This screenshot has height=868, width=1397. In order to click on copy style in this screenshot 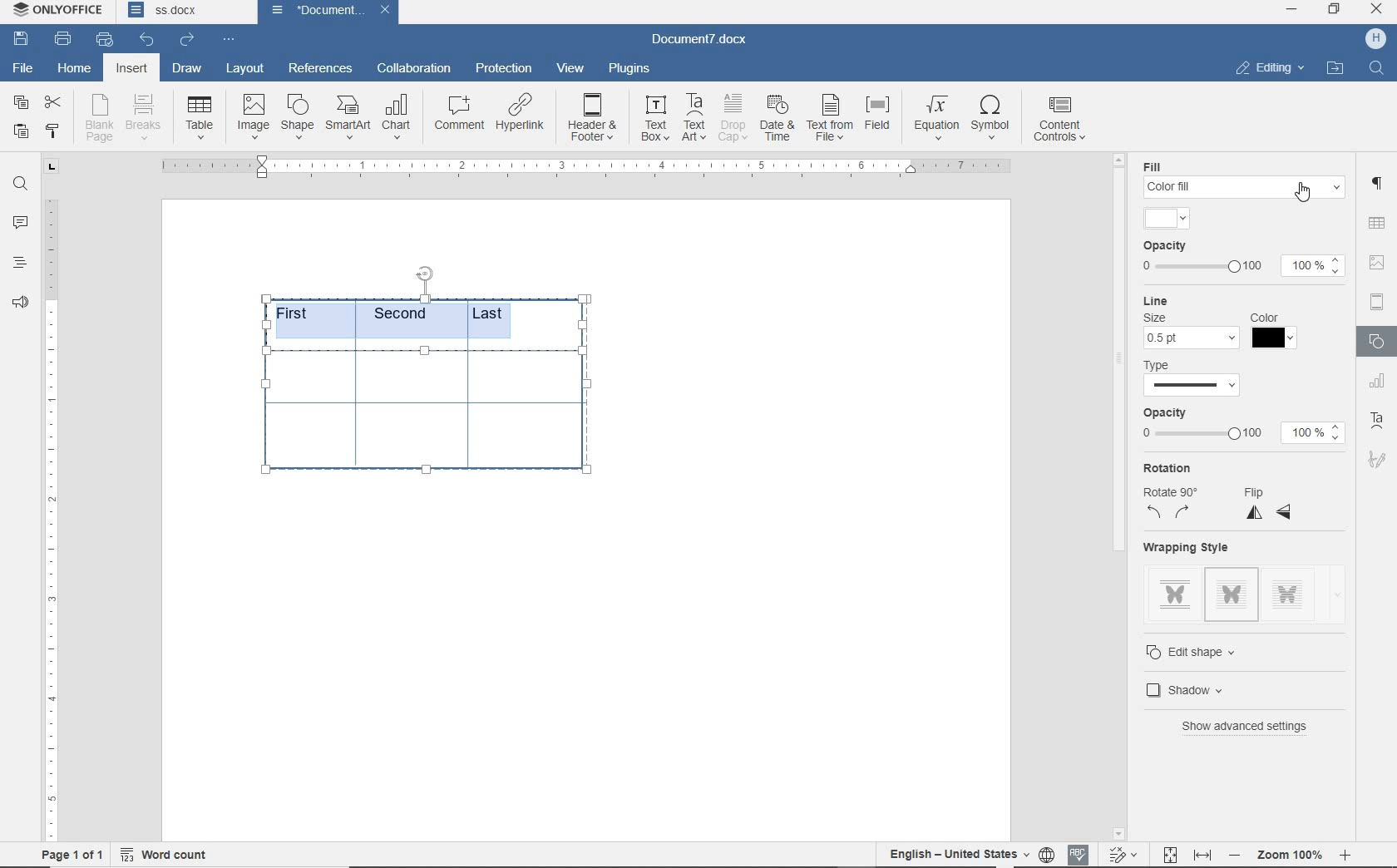, I will do `click(51, 131)`.